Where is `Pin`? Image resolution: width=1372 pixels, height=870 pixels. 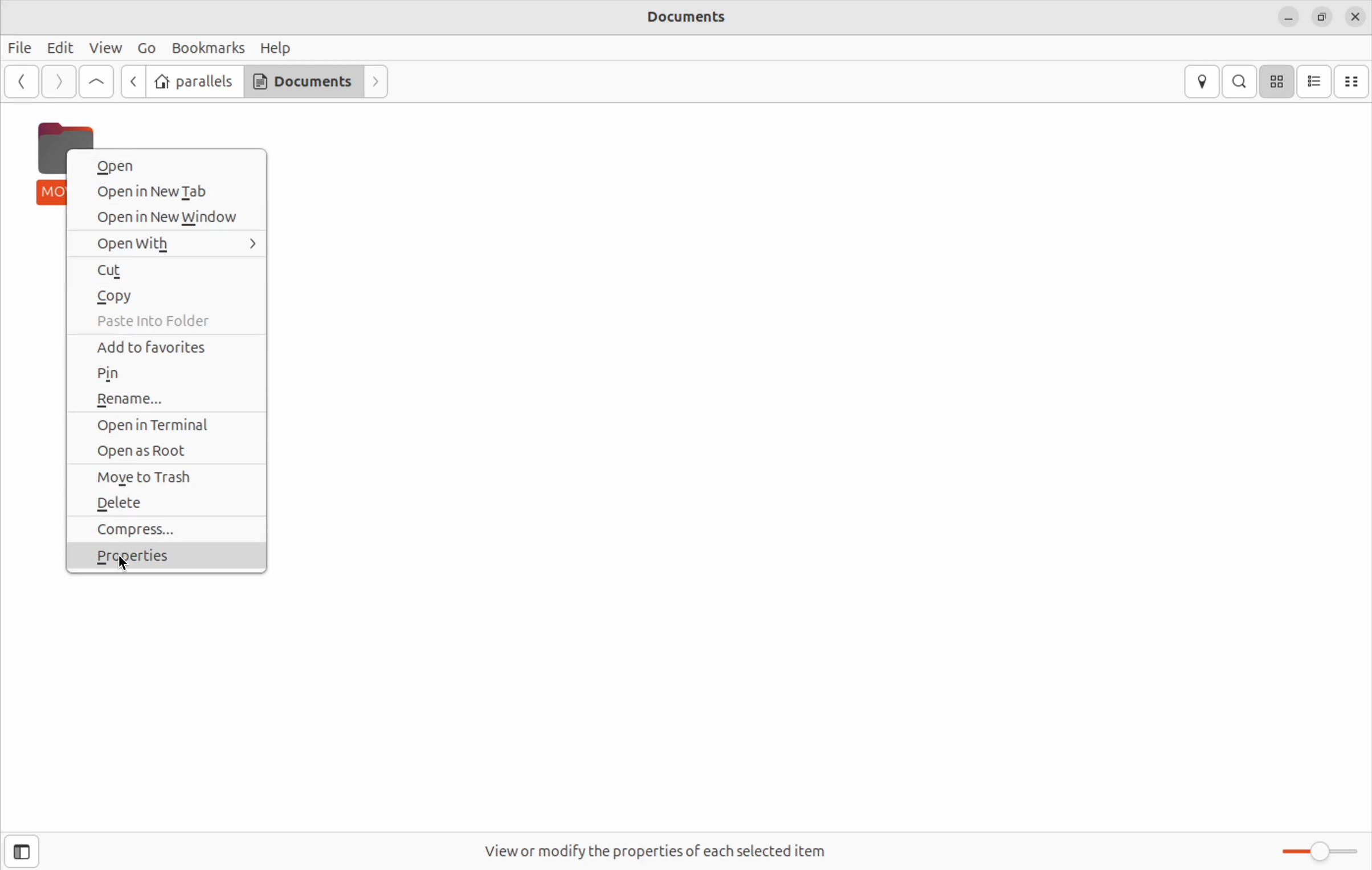 Pin is located at coordinates (166, 376).